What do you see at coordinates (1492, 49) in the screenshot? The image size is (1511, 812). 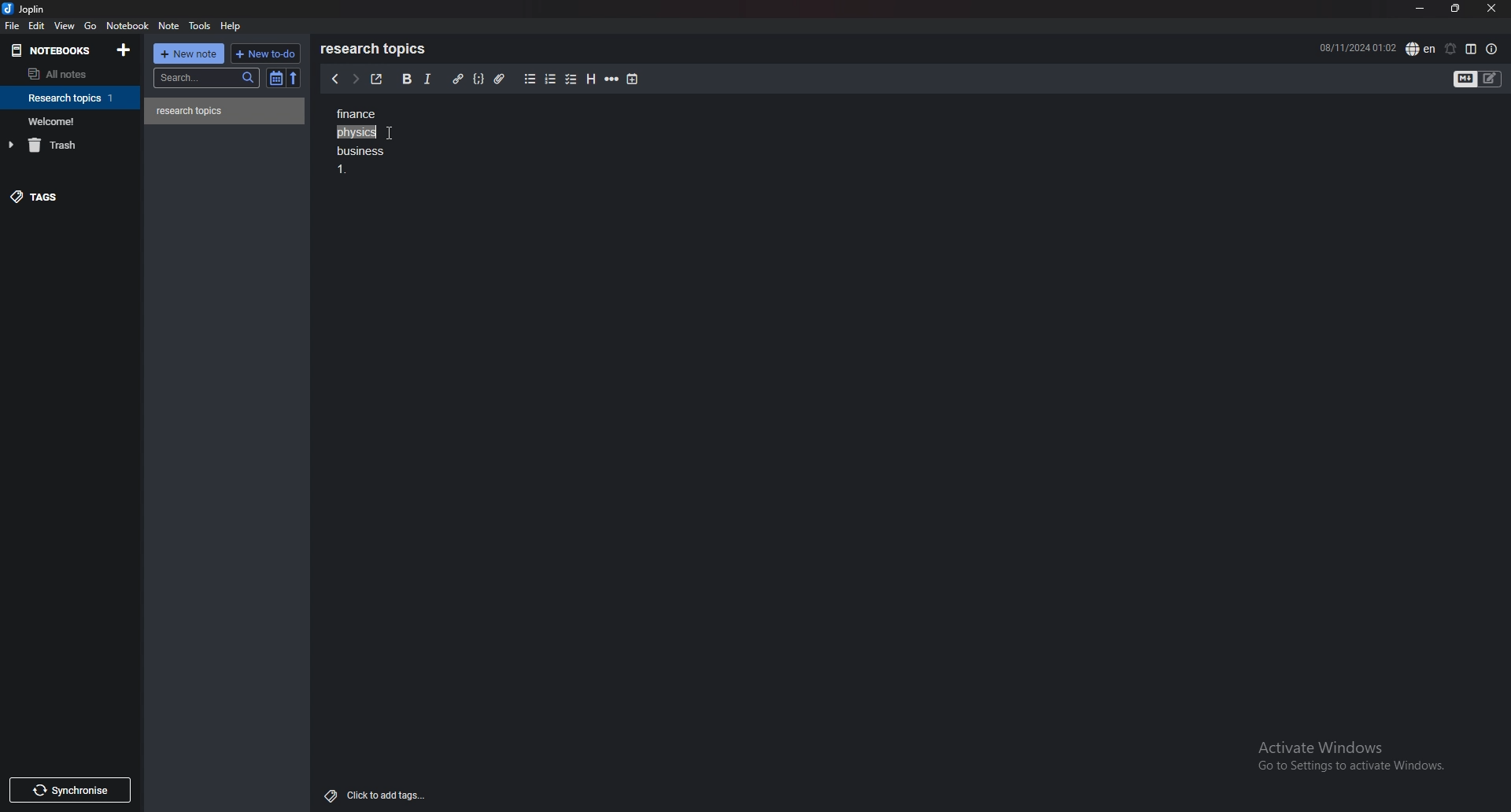 I see `note properties` at bounding box center [1492, 49].